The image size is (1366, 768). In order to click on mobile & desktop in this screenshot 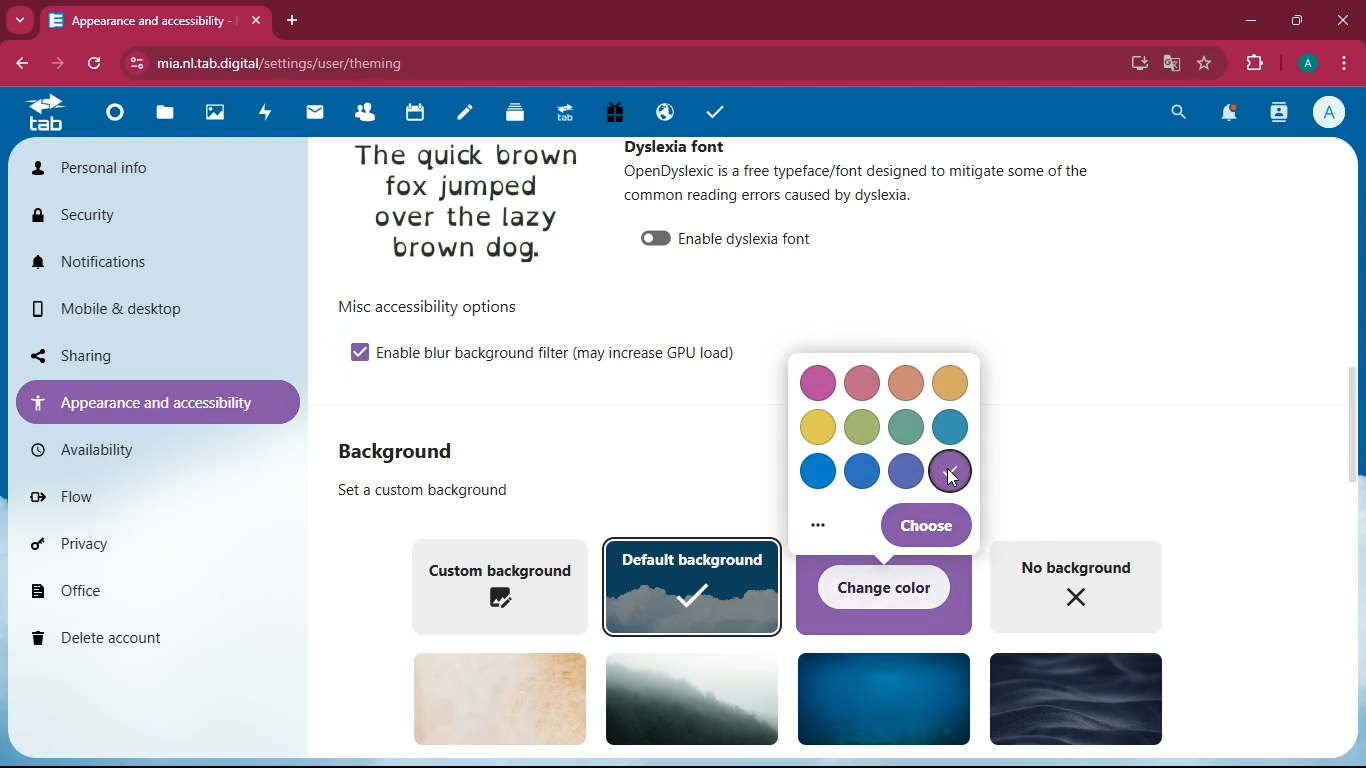, I will do `click(125, 309)`.